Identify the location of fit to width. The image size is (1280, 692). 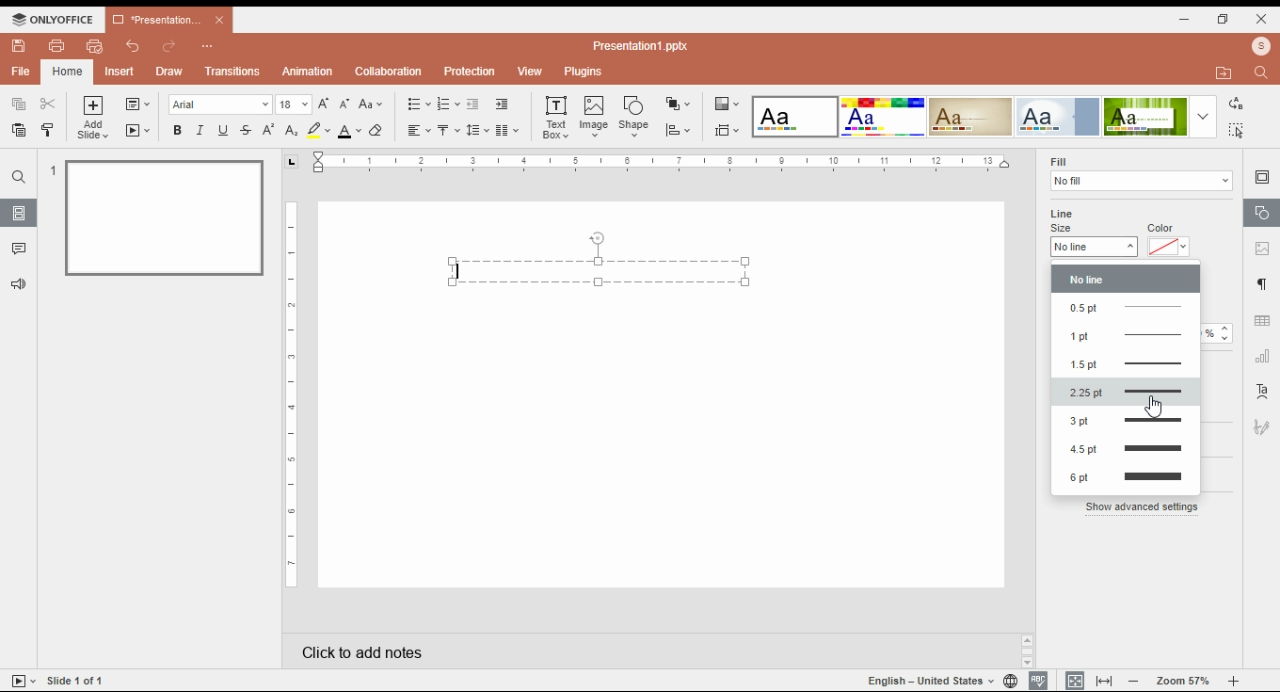
(1105, 680).